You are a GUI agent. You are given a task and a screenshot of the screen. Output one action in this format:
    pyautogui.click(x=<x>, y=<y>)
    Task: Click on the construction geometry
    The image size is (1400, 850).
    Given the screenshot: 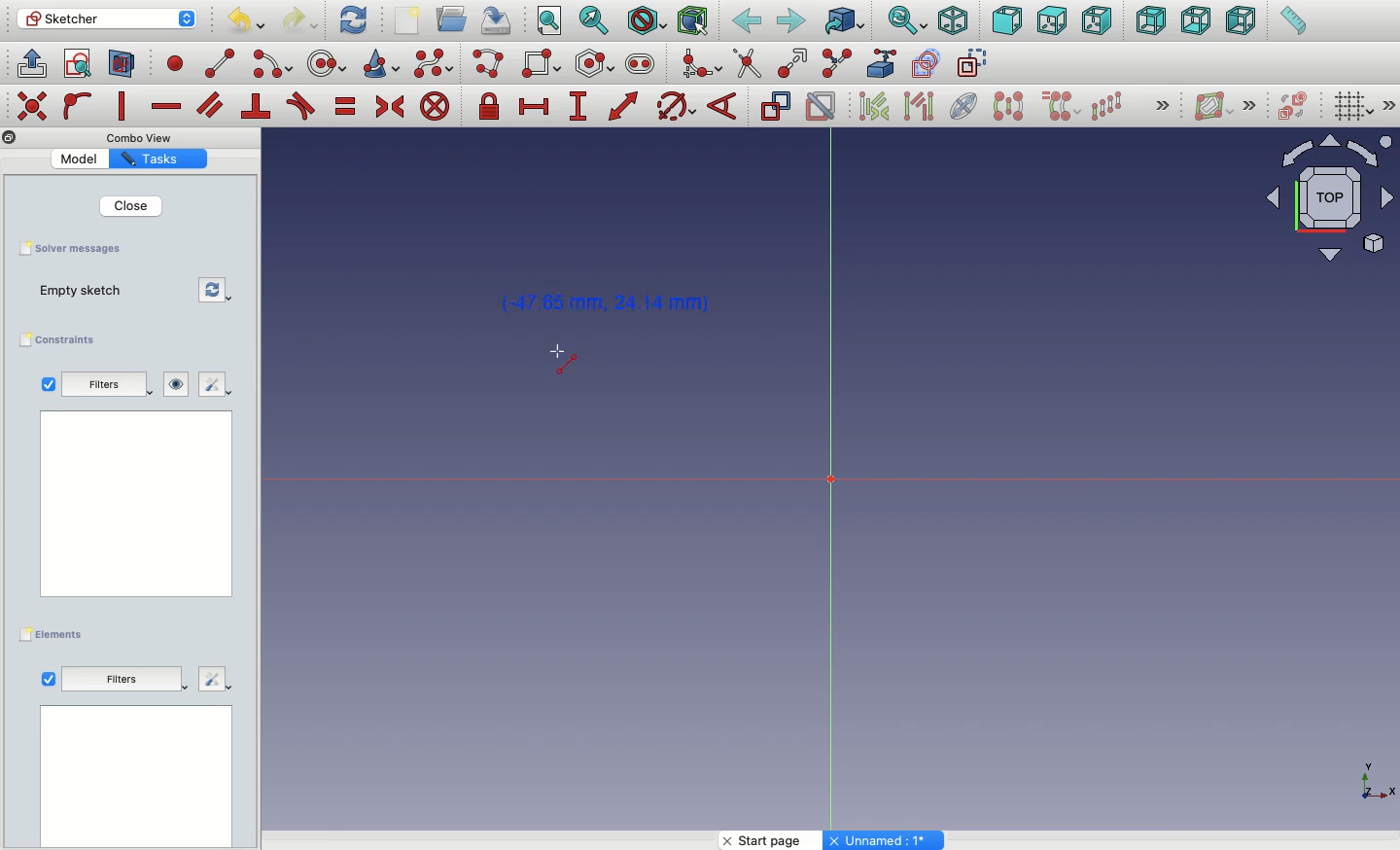 What is the action you would take?
    pyautogui.click(x=975, y=64)
    